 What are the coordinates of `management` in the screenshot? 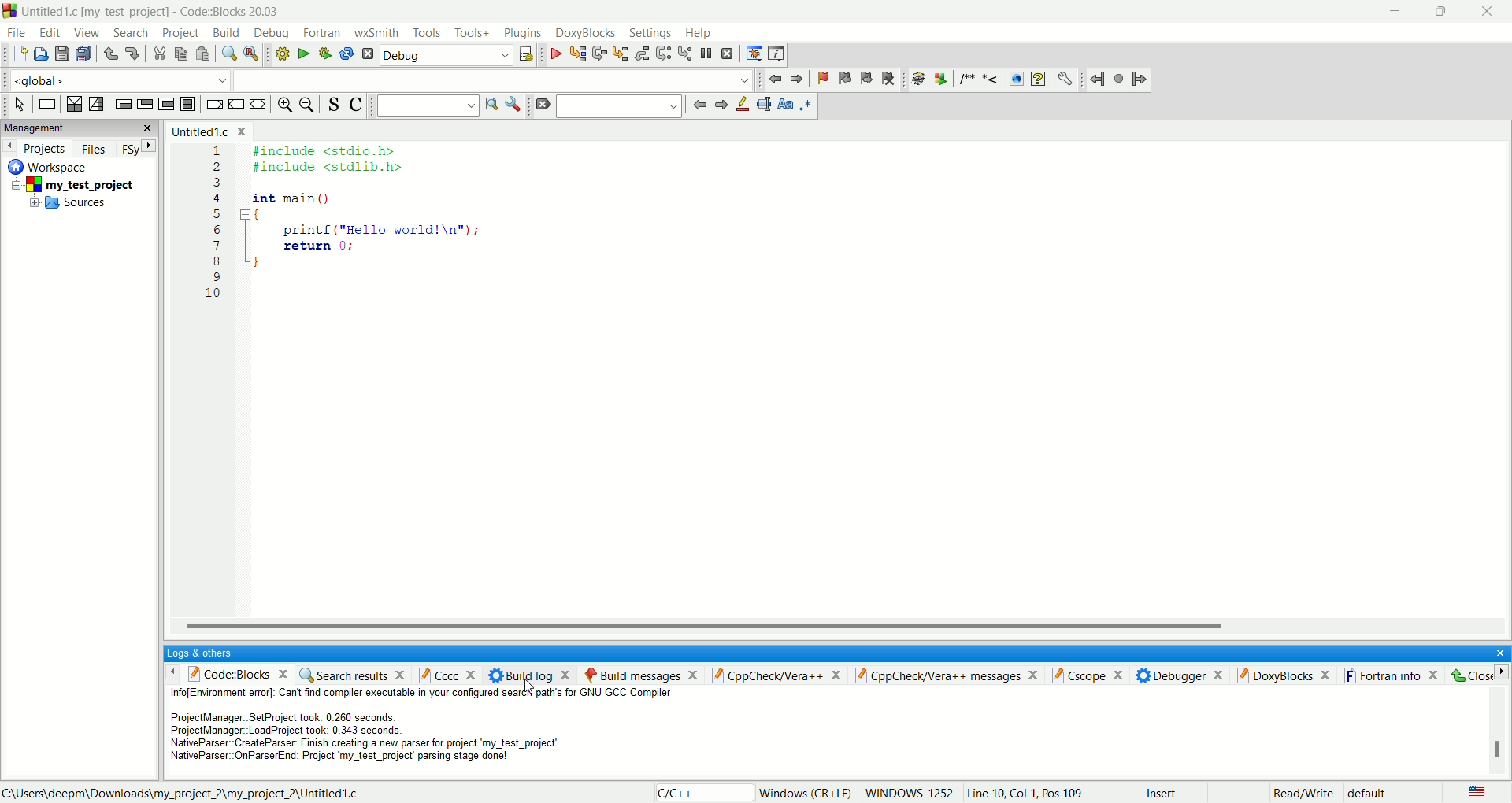 It's located at (77, 128).